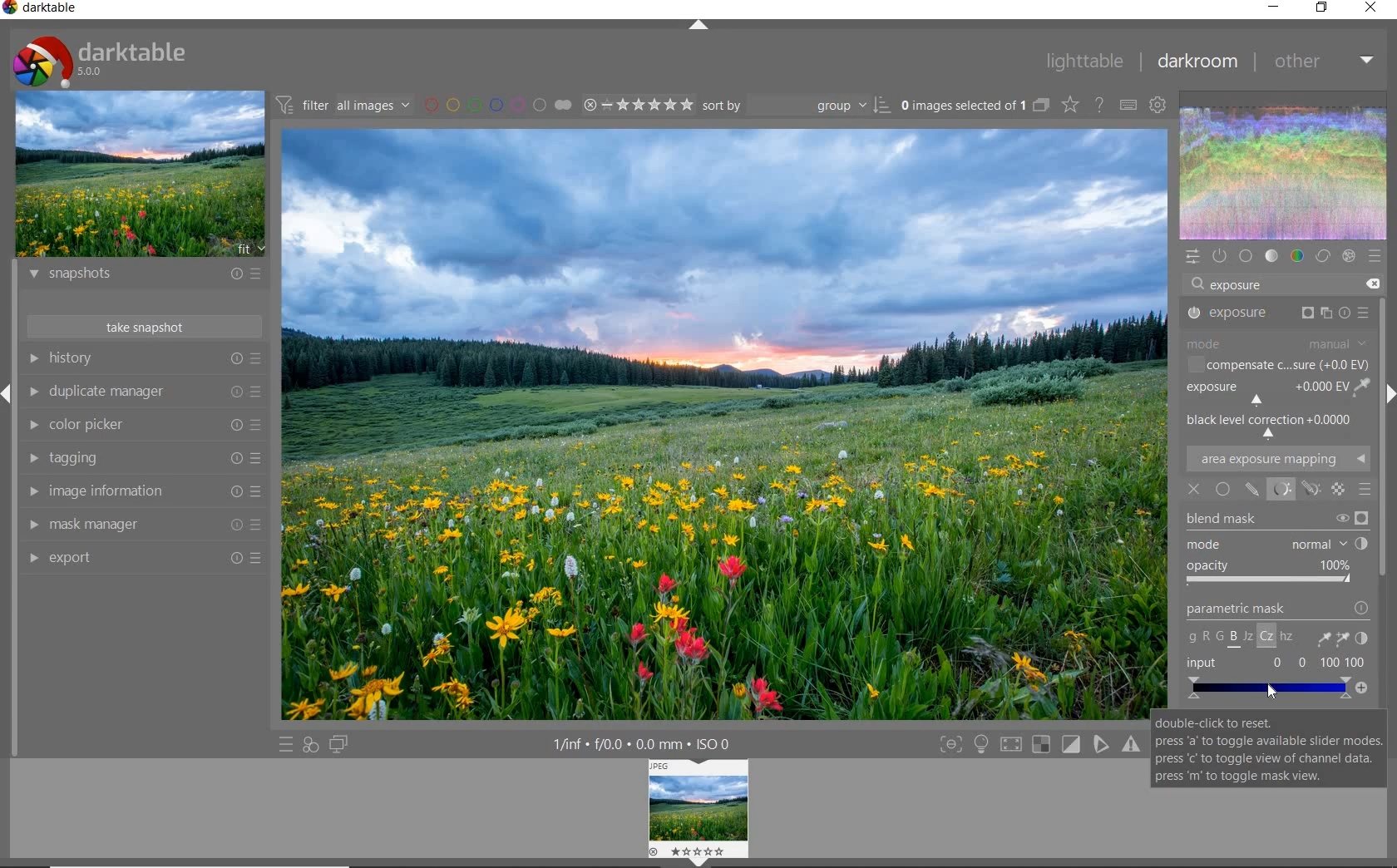 The height and width of the screenshot is (868, 1397). What do you see at coordinates (1069, 106) in the screenshot?
I see `change overlays shown on thumbnails` at bounding box center [1069, 106].